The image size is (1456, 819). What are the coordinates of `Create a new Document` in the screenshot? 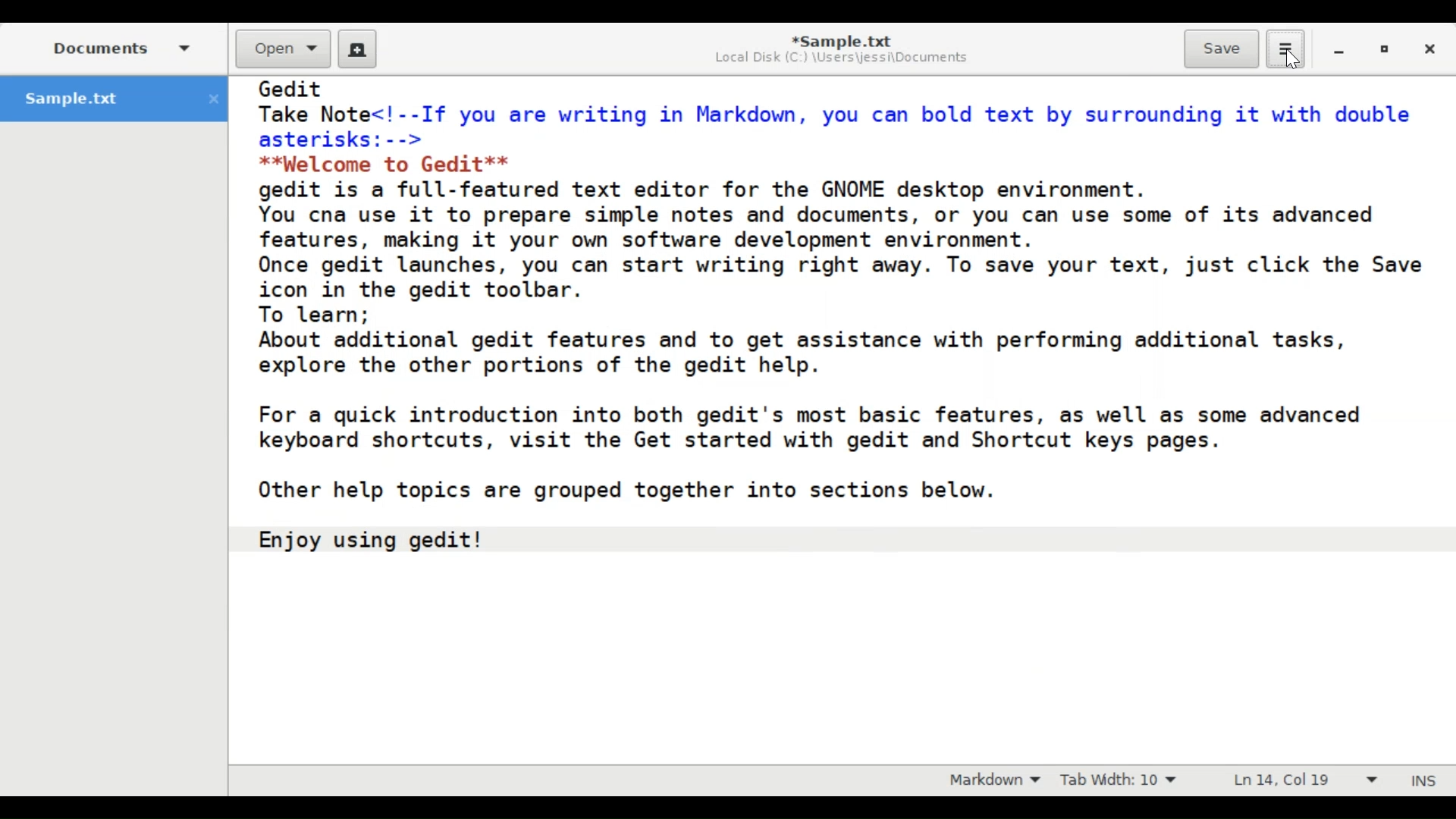 It's located at (357, 49).